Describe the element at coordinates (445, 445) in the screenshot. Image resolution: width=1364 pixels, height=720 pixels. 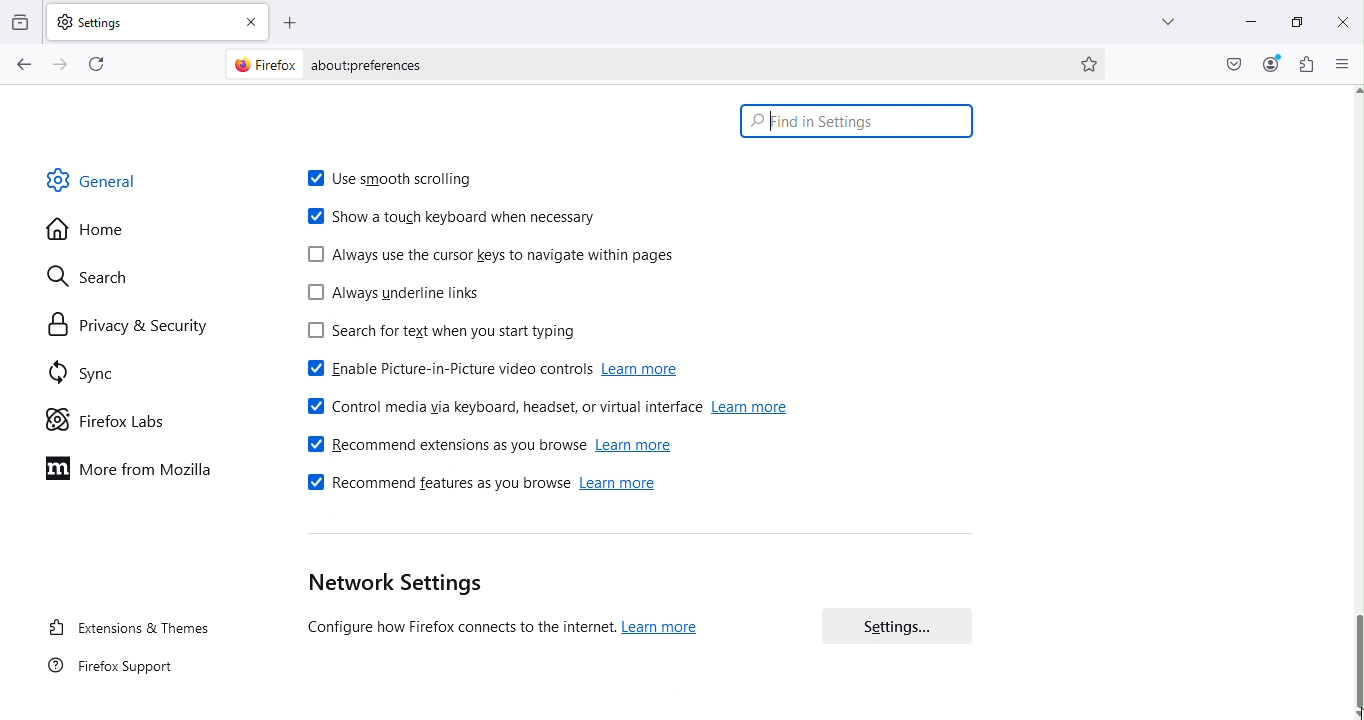
I see `Recommend extensions as you browse` at that location.